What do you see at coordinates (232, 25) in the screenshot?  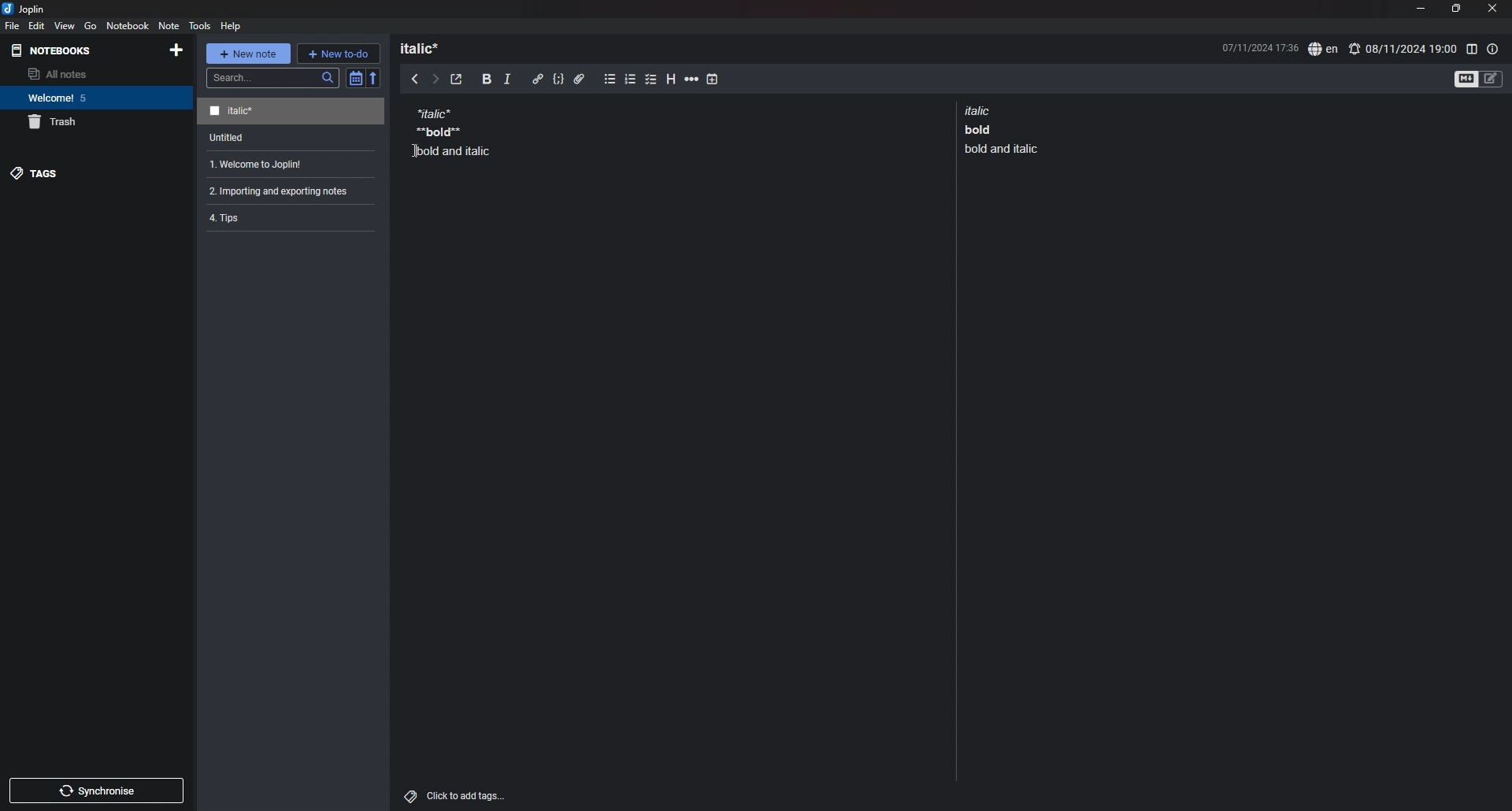 I see `help` at bounding box center [232, 25].